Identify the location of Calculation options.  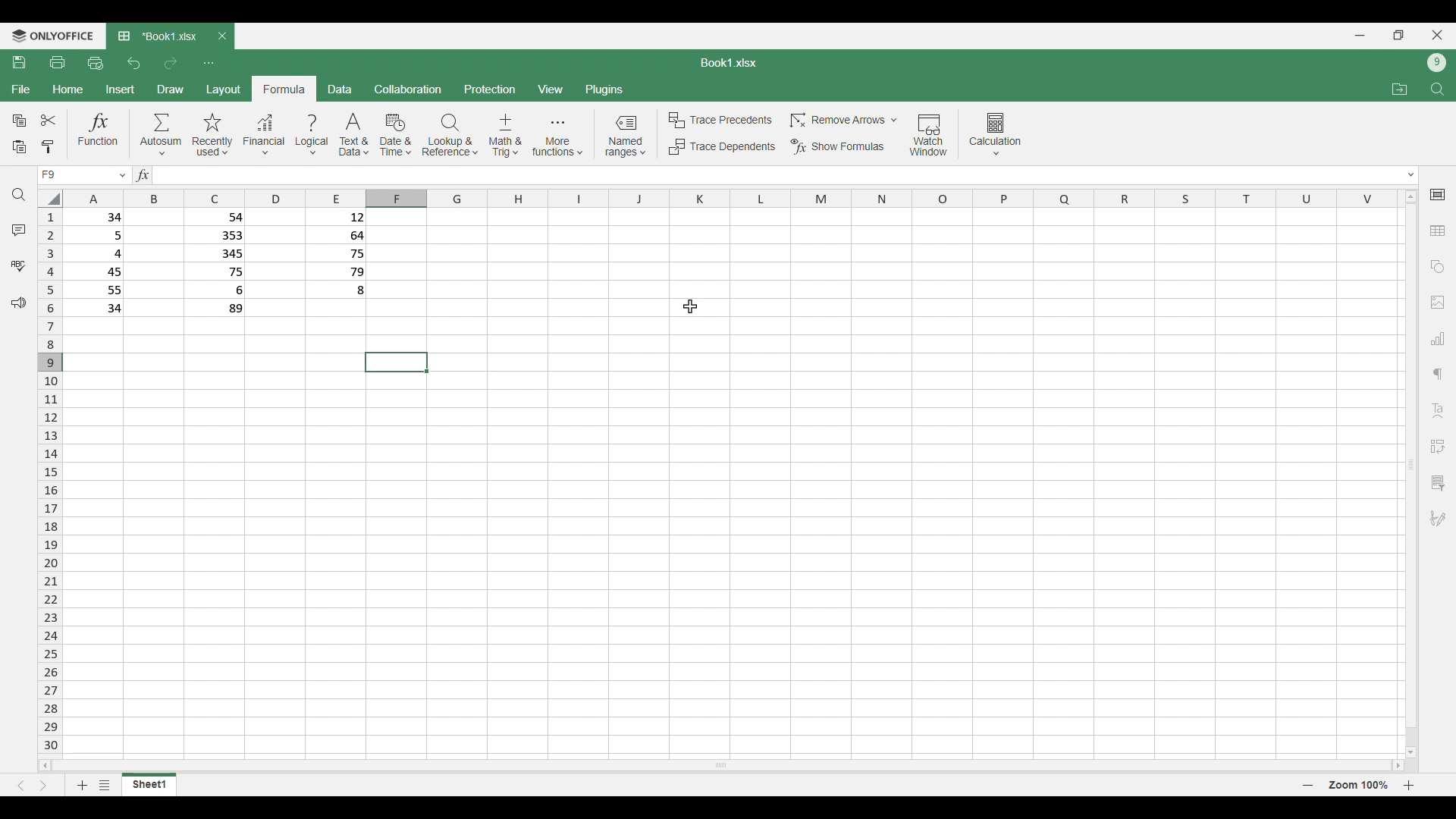
(996, 134).